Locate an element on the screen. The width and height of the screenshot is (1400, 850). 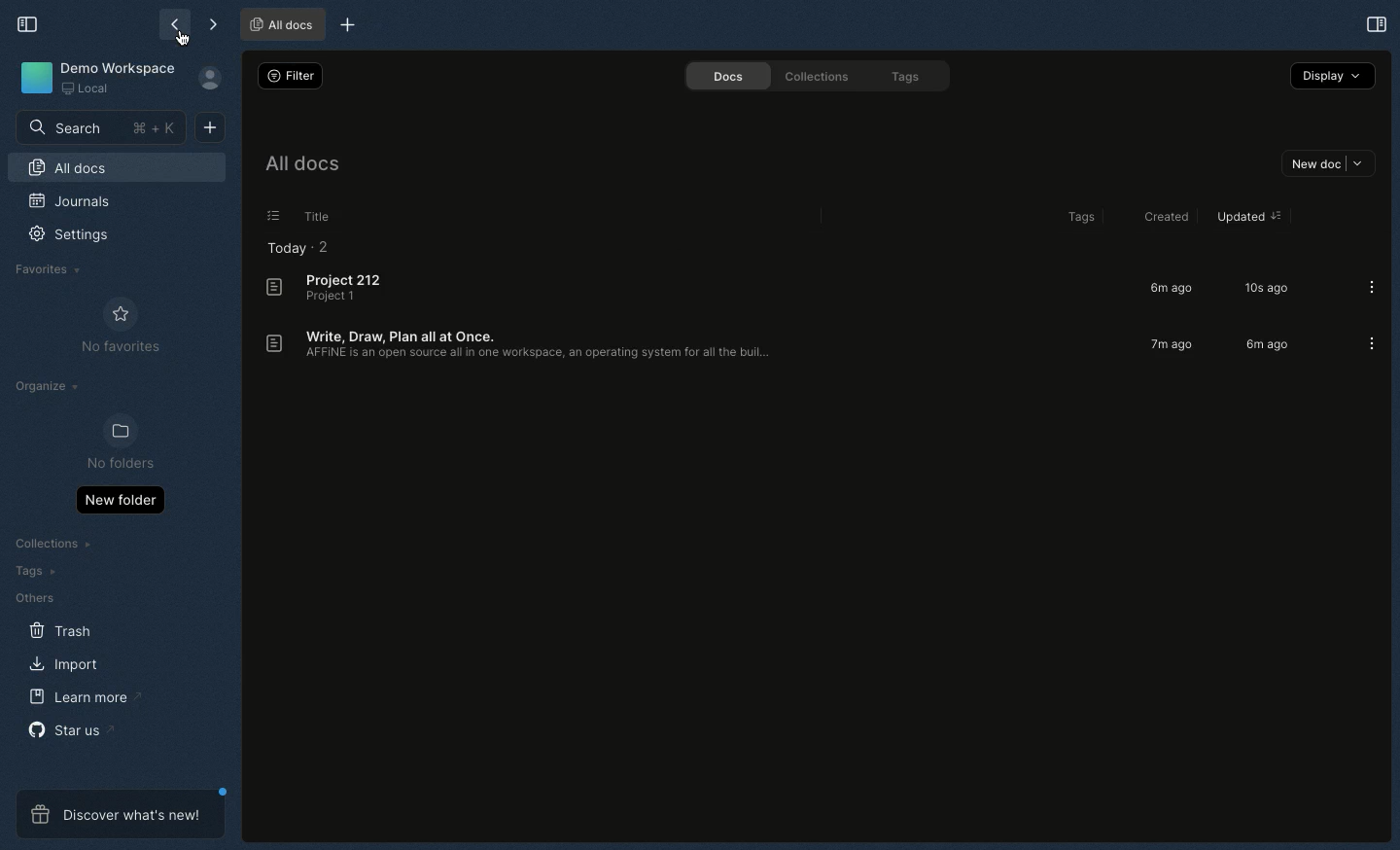
more options is located at coordinates (1369, 289).